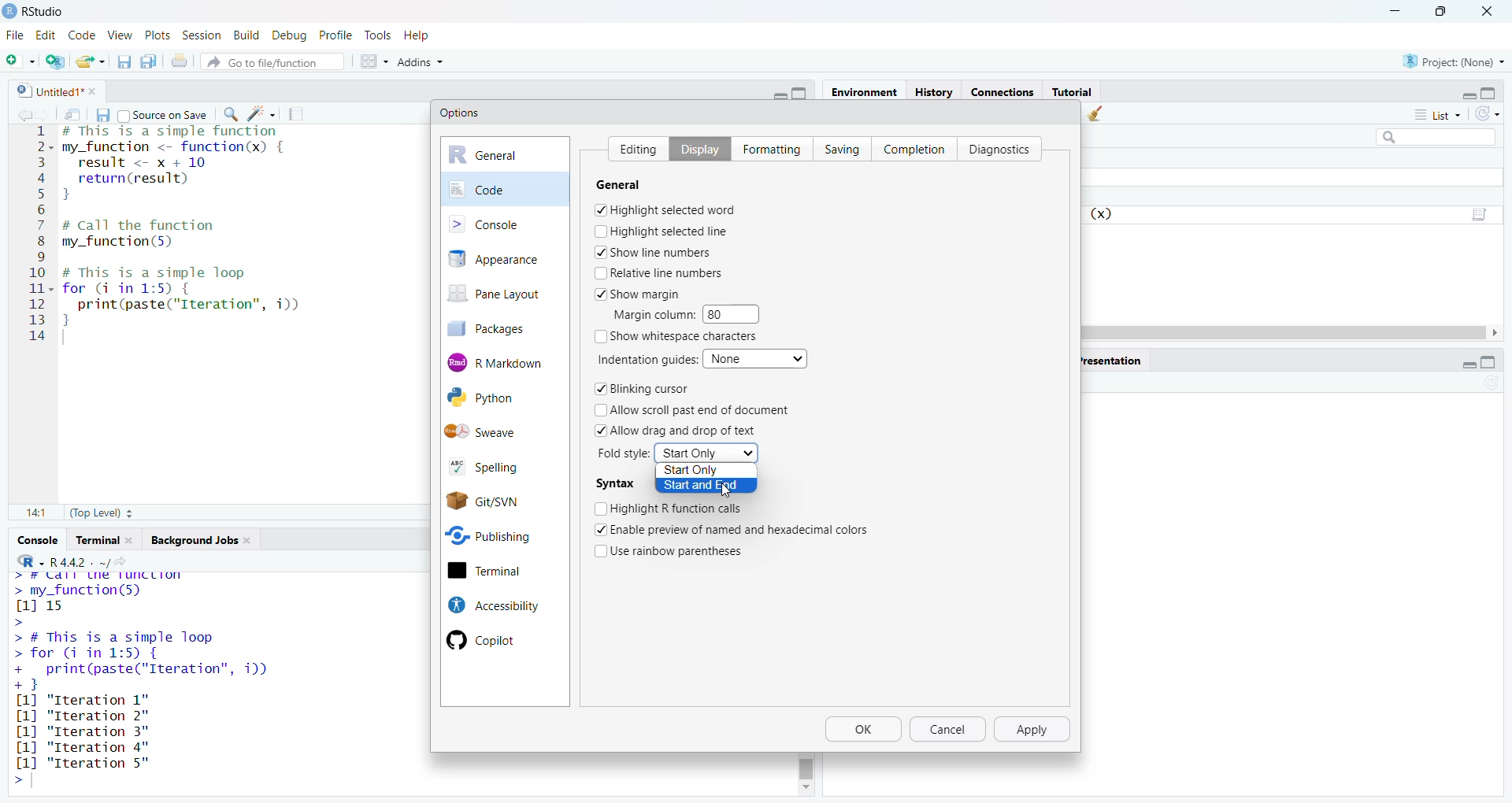 Image resolution: width=1512 pixels, height=803 pixels. I want to click on start only, so click(707, 453).